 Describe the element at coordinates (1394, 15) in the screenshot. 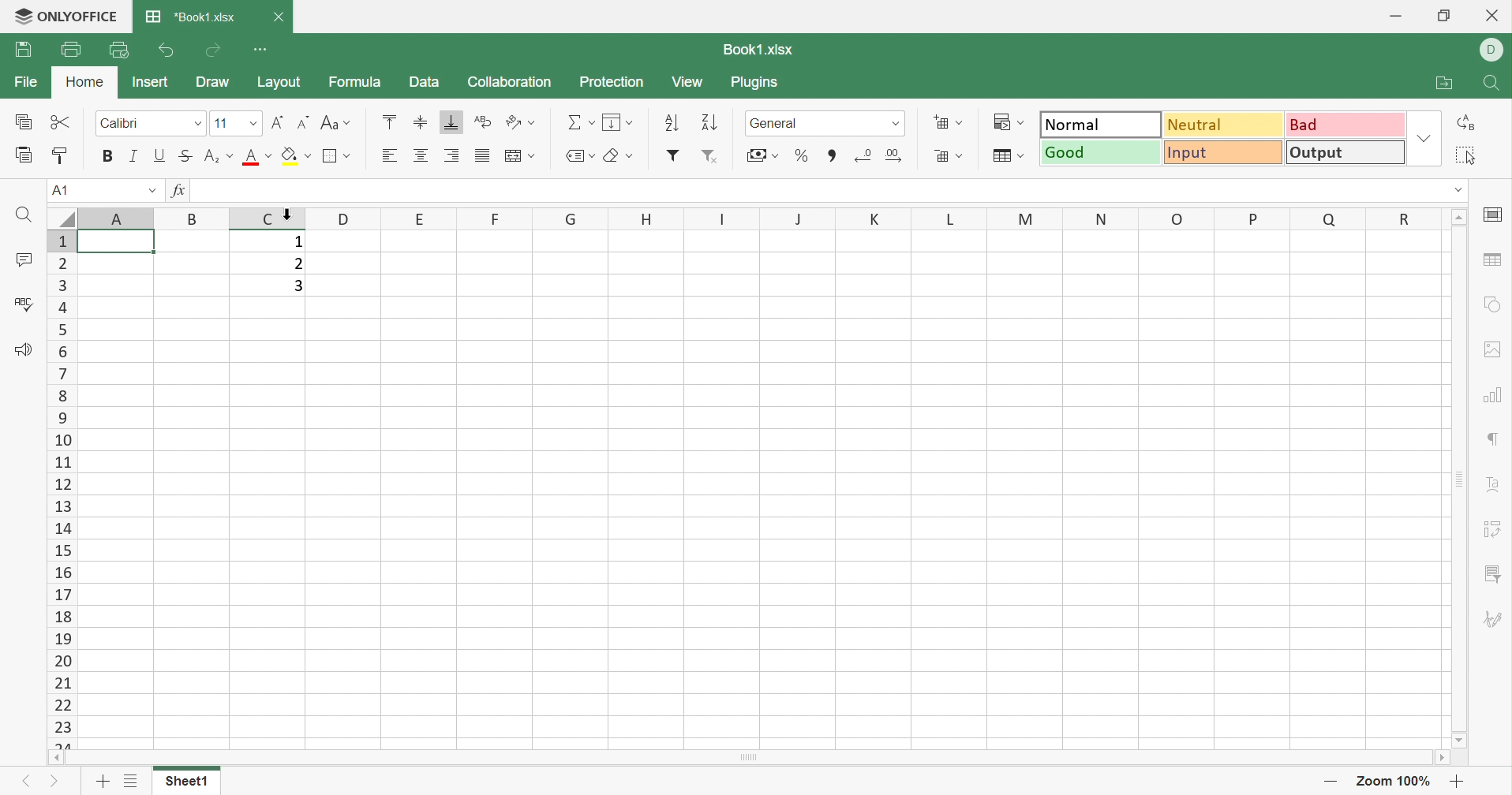

I see `Minimize` at that location.